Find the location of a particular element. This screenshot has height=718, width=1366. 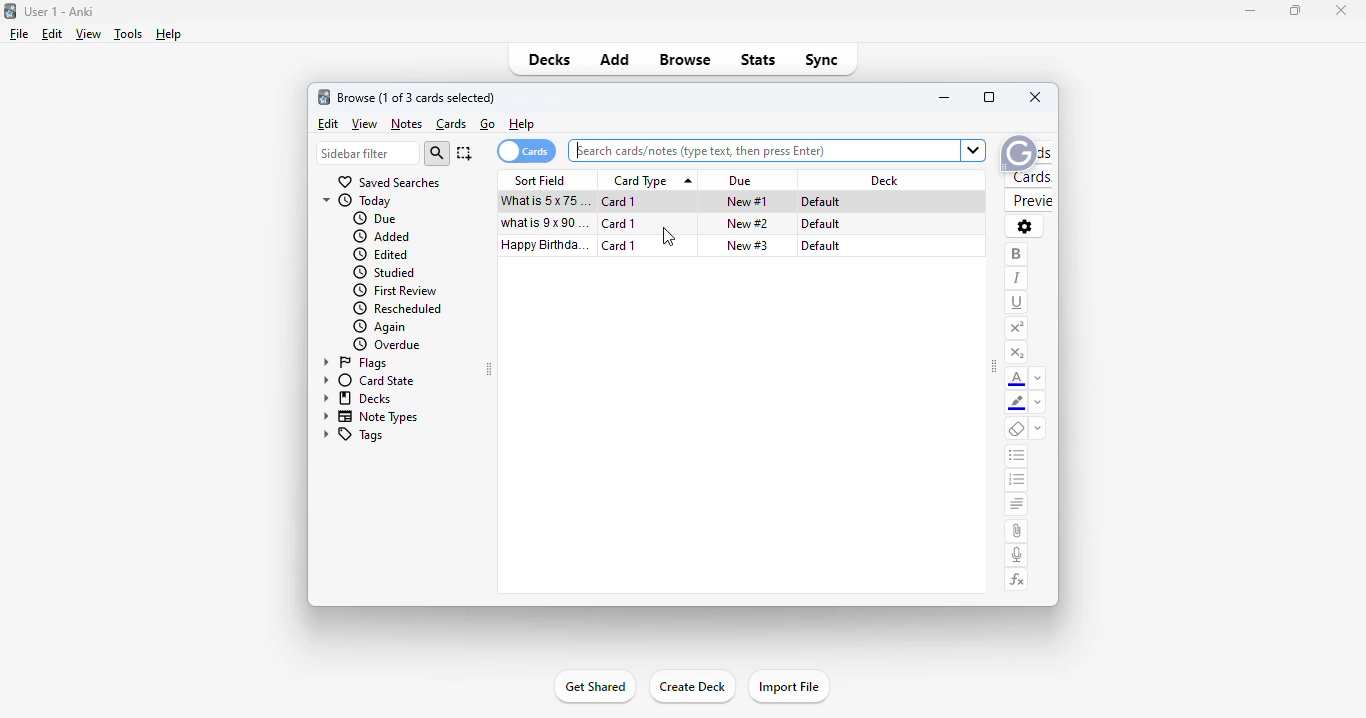

logo is located at coordinates (9, 11).